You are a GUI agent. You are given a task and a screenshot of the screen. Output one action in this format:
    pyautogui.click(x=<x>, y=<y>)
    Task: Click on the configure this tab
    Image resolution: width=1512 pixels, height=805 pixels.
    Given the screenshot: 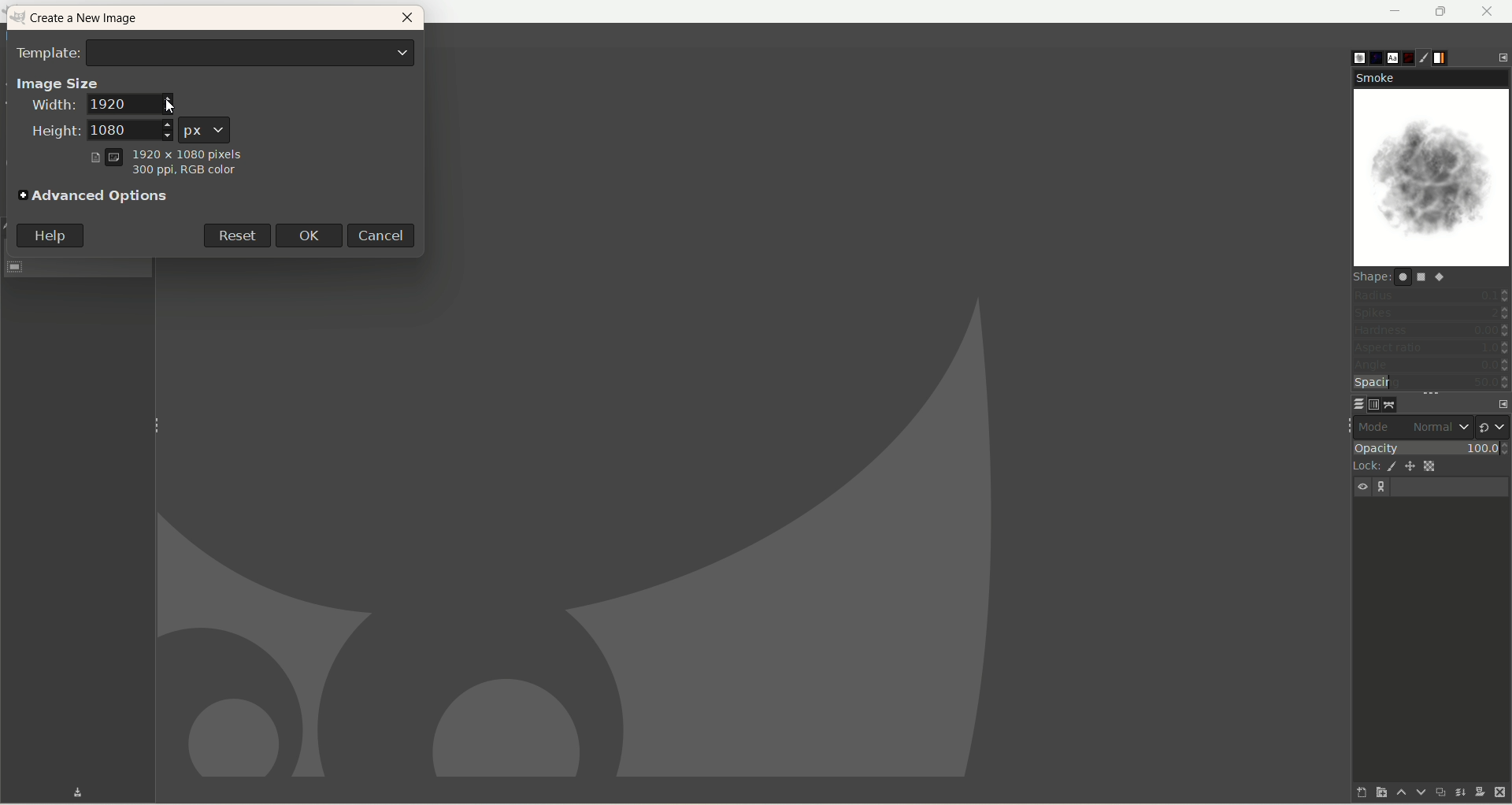 What is the action you would take?
    pyautogui.click(x=1503, y=56)
    